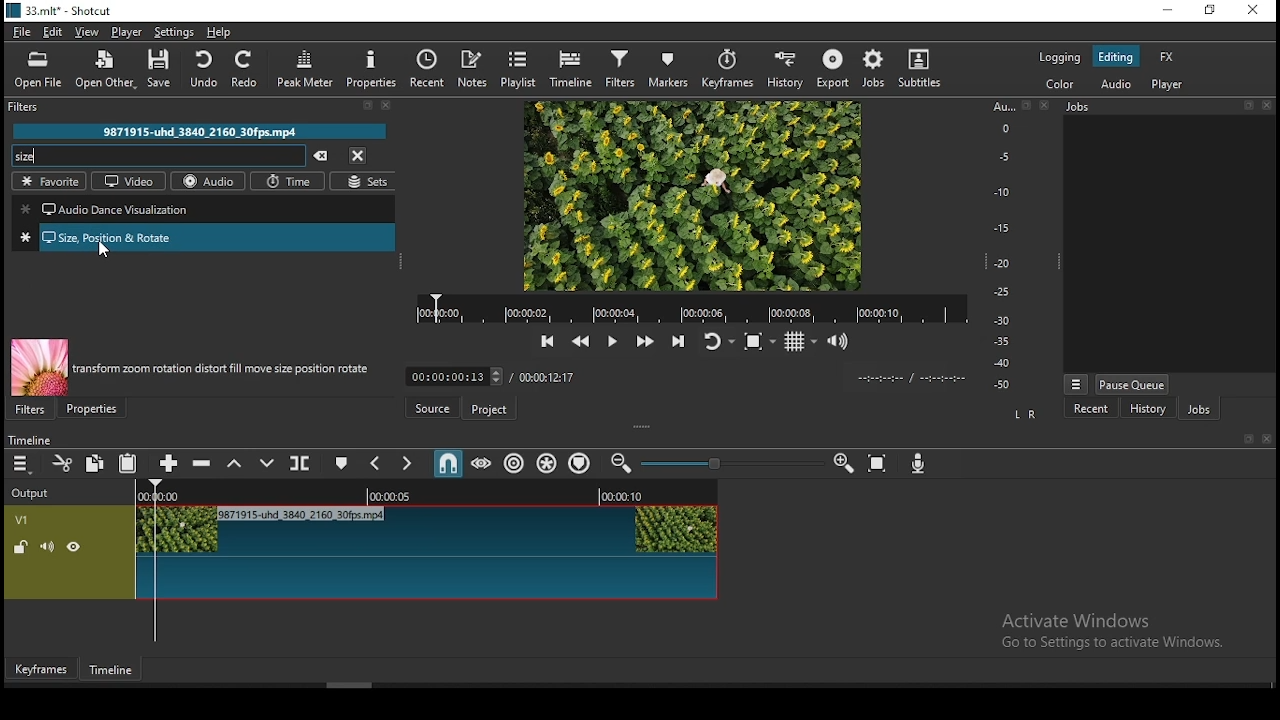  What do you see at coordinates (427, 66) in the screenshot?
I see `recent` at bounding box center [427, 66].